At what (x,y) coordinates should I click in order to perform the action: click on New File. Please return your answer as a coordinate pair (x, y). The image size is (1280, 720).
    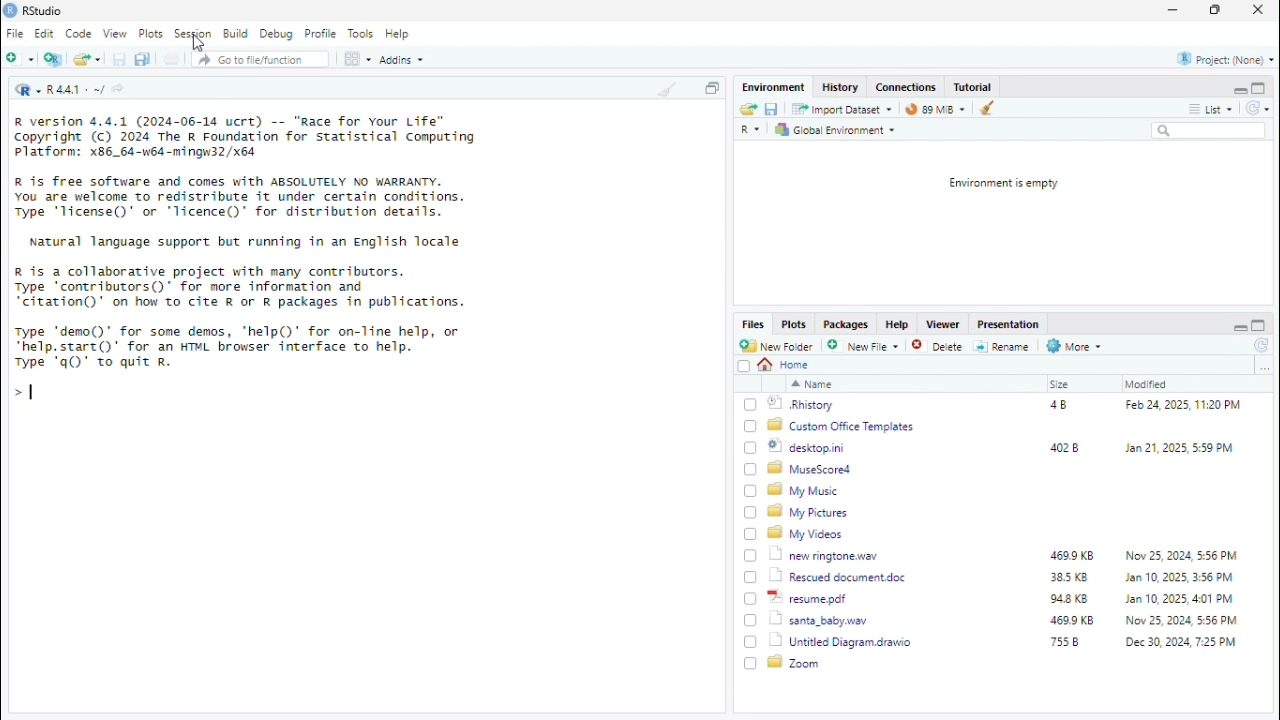
    Looking at the image, I should click on (865, 346).